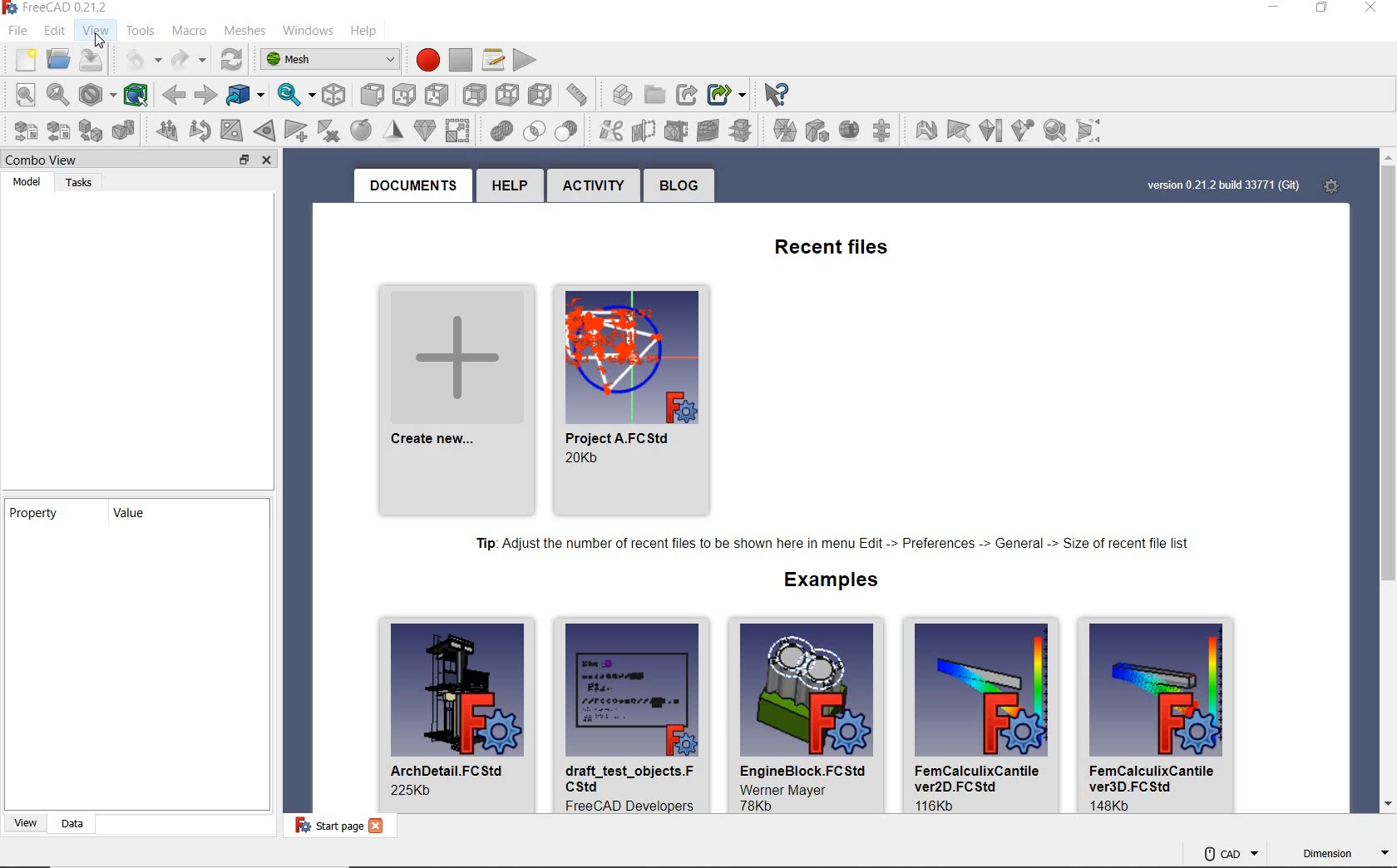  I want to click on recent project, so click(641, 403).